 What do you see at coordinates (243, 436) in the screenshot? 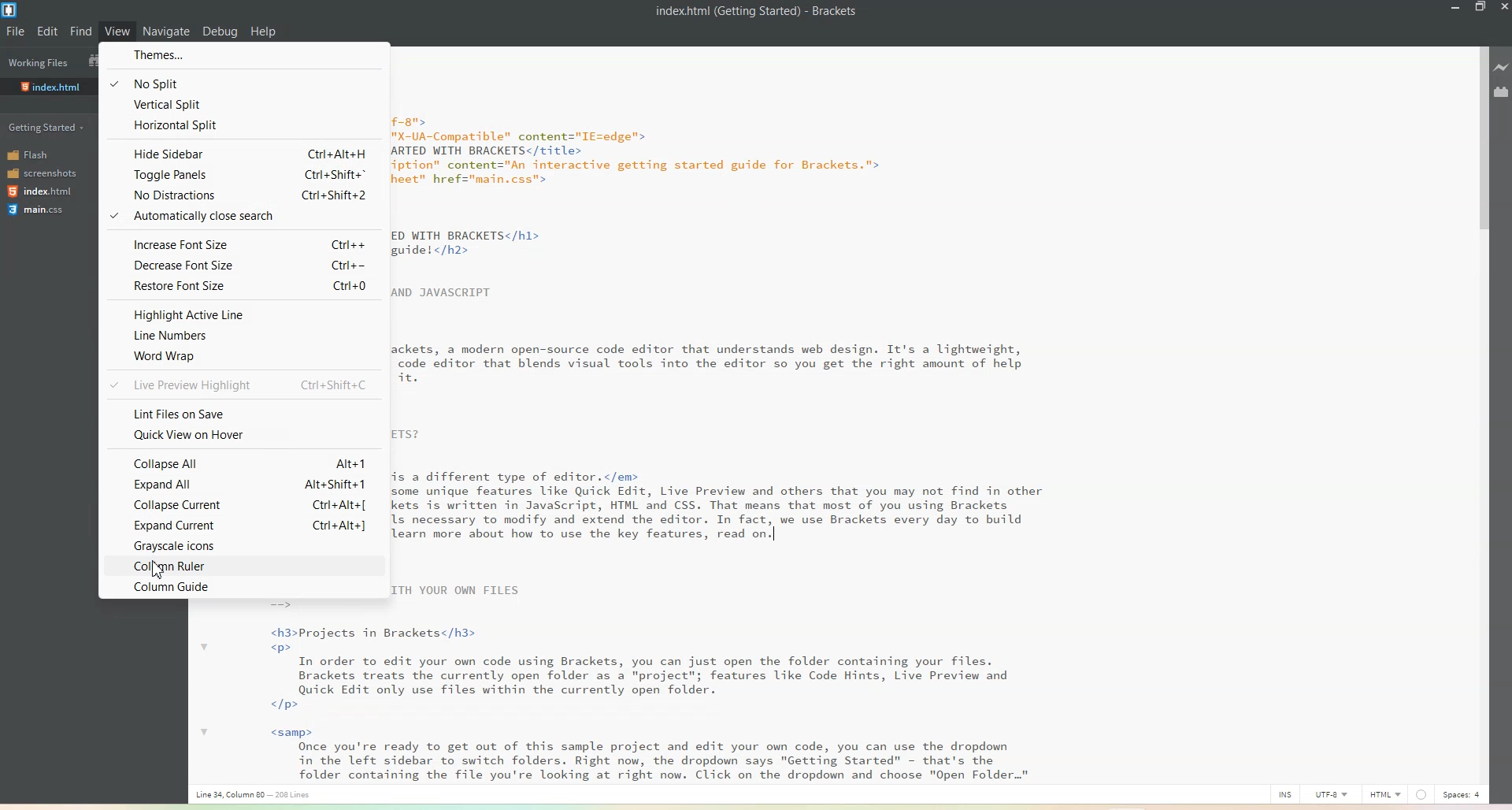
I see `Quick View on Hover` at bounding box center [243, 436].